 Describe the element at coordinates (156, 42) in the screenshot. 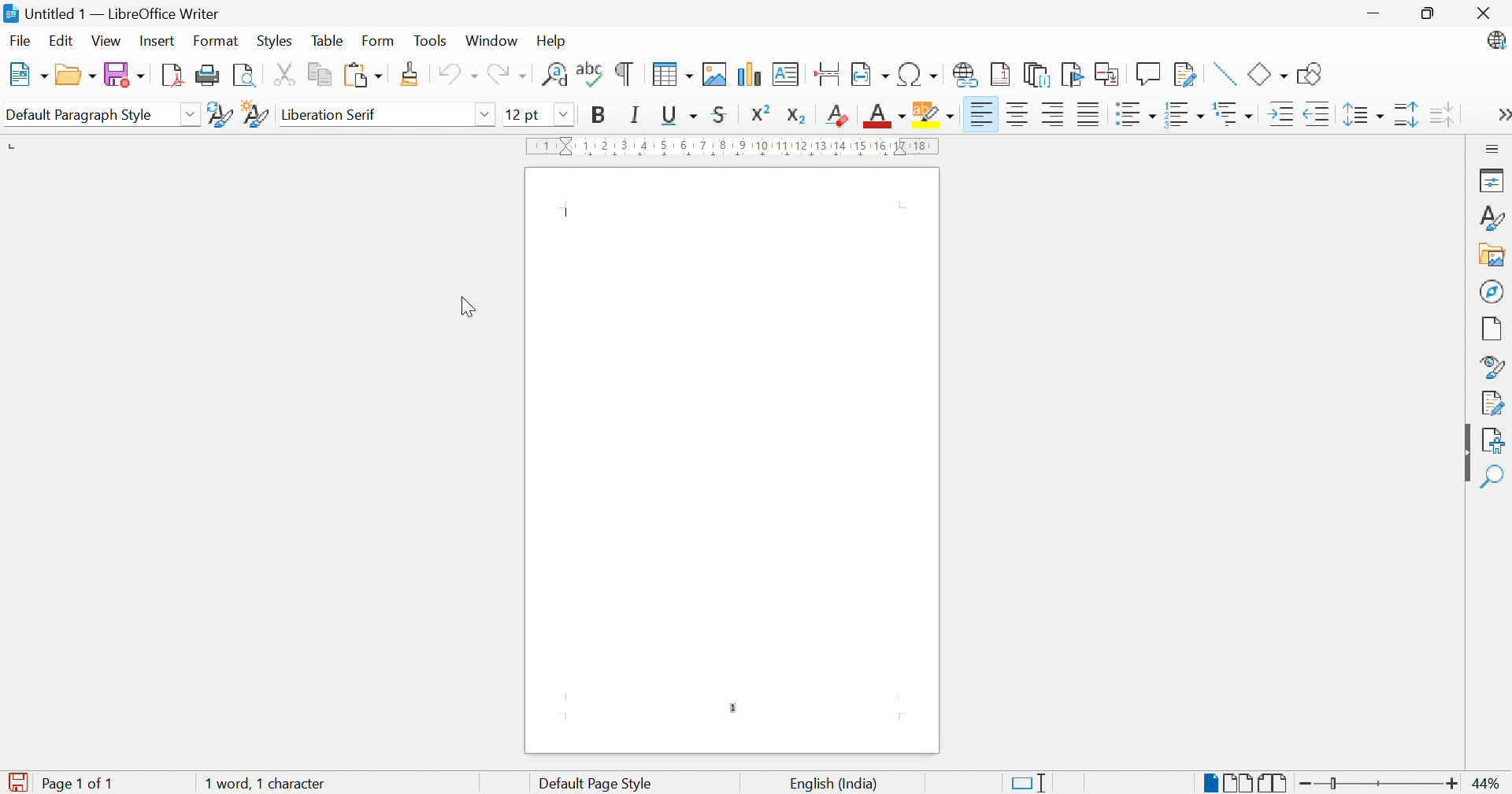

I see `Insert` at that location.